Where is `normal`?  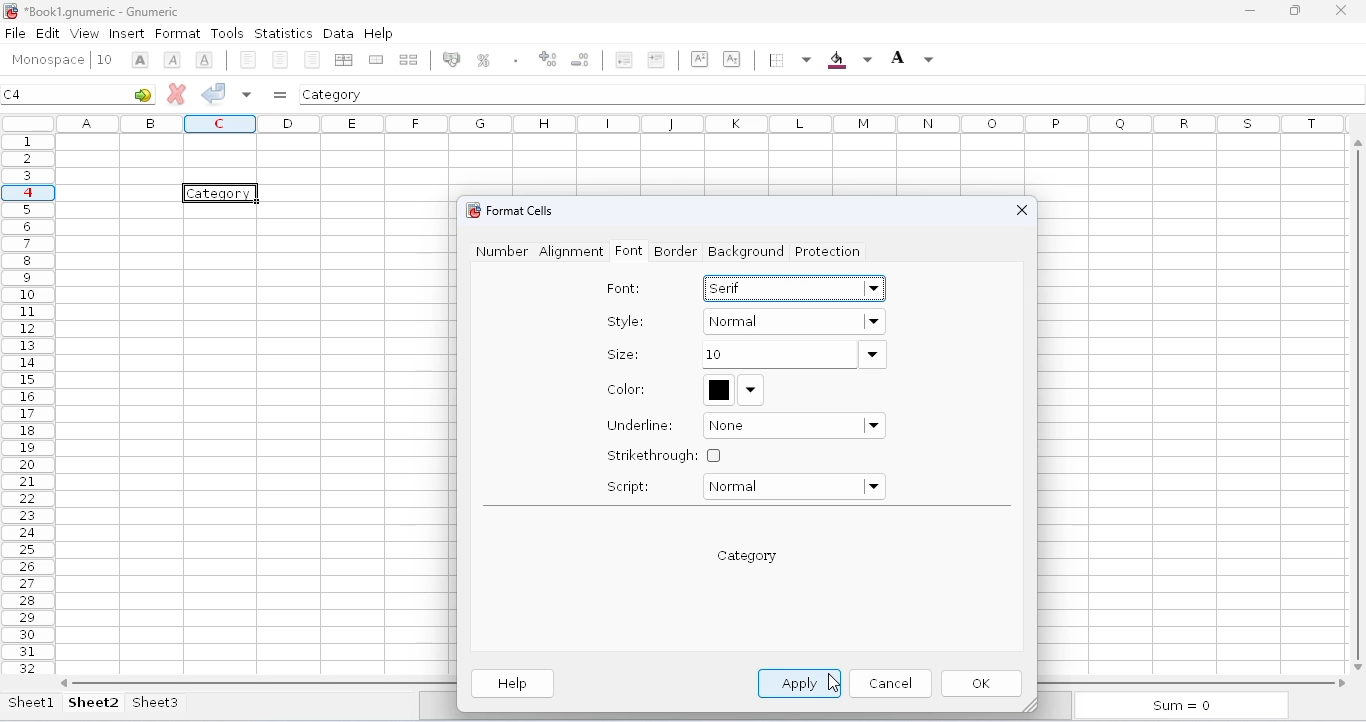
normal is located at coordinates (793, 487).